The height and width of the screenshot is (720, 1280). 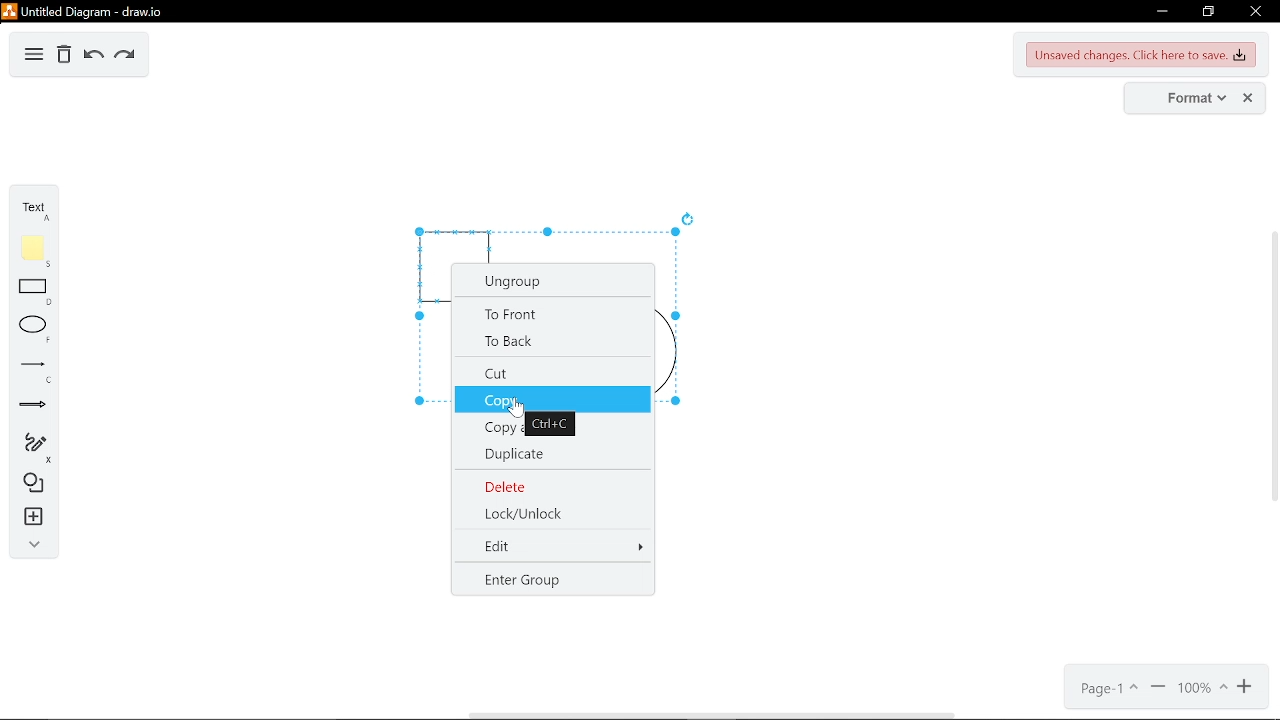 What do you see at coordinates (1142, 56) in the screenshot?
I see `Unsaved changes. Click here to save` at bounding box center [1142, 56].